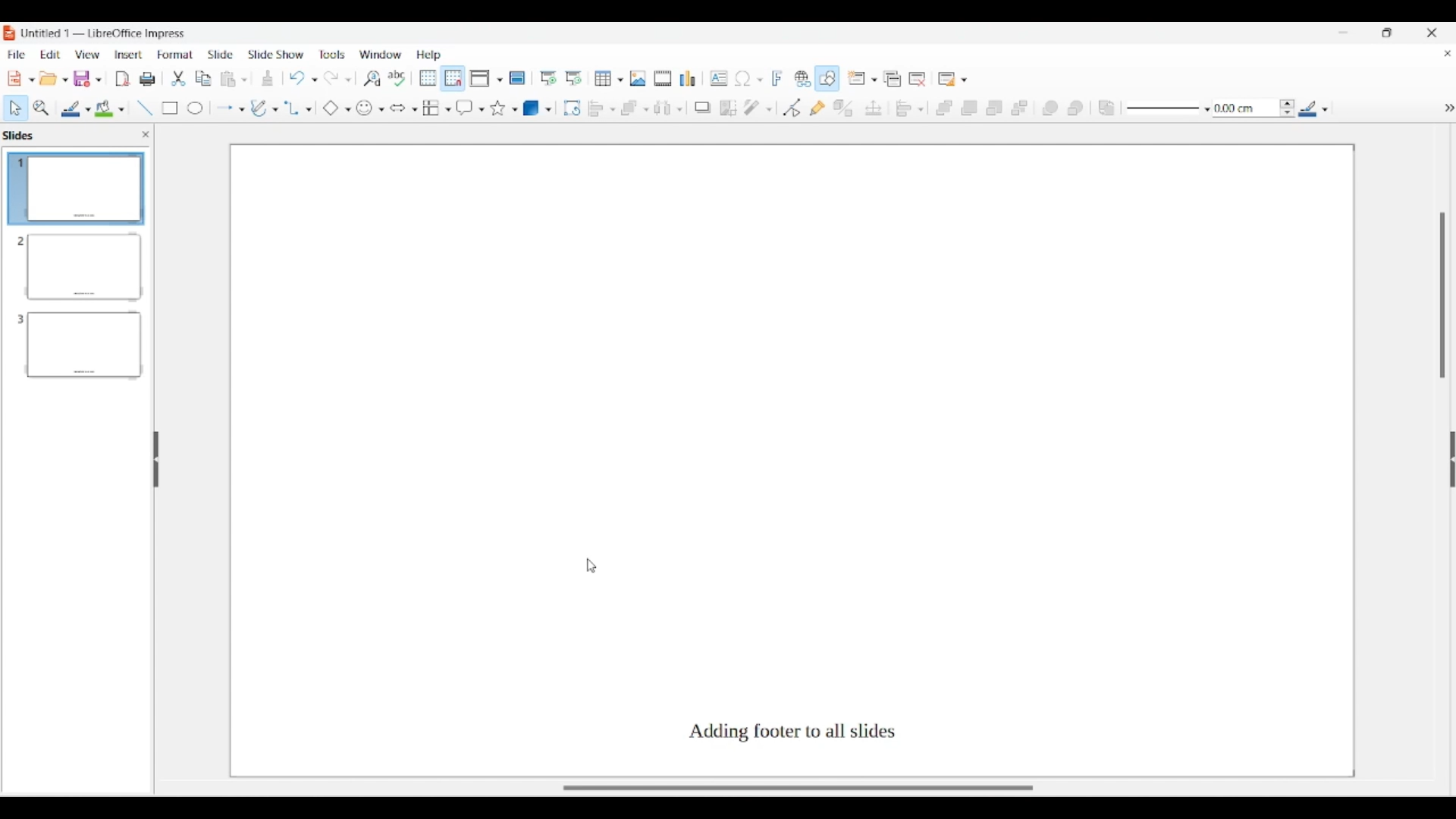 Image resolution: width=1456 pixels, height=819 pixels. Describe the element at coordinates (175, 55) in the screenshot. I see `Format menu` at that location.